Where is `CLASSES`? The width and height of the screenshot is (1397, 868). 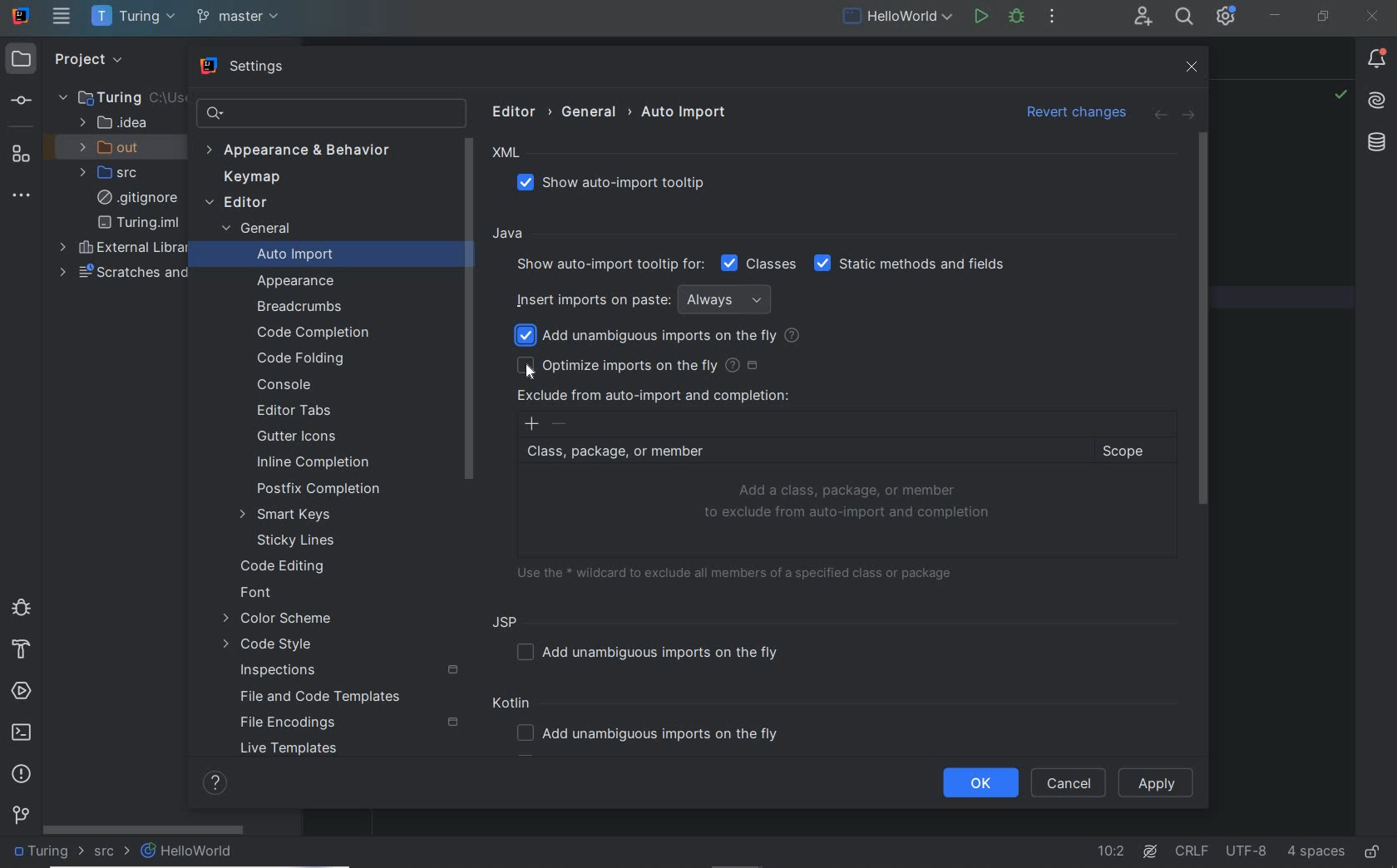 CLASSES is located at coordinates (759, 263).